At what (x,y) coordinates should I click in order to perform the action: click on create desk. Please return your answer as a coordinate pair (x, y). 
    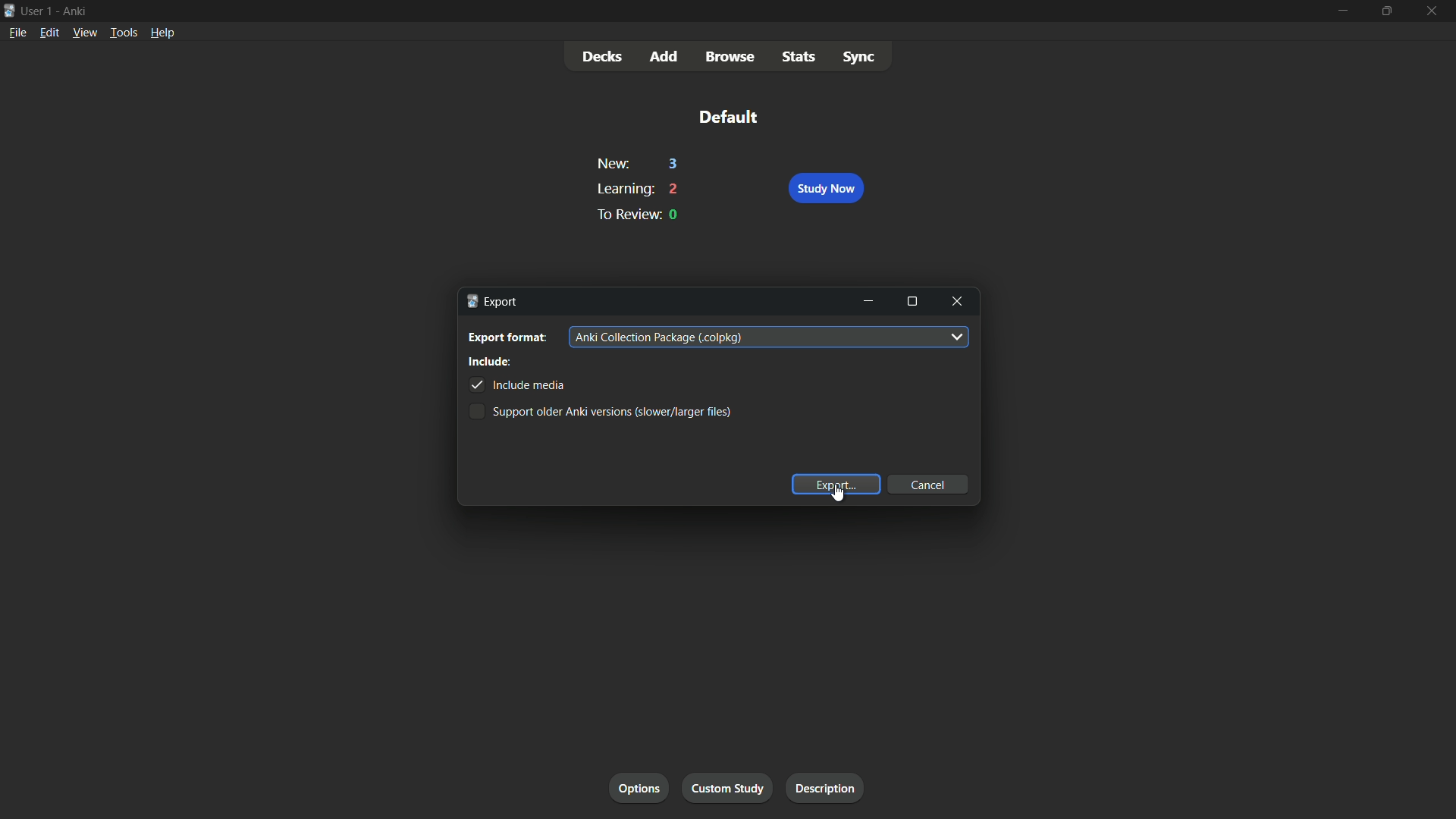
    Looking at the image, I should click on (733, 788).